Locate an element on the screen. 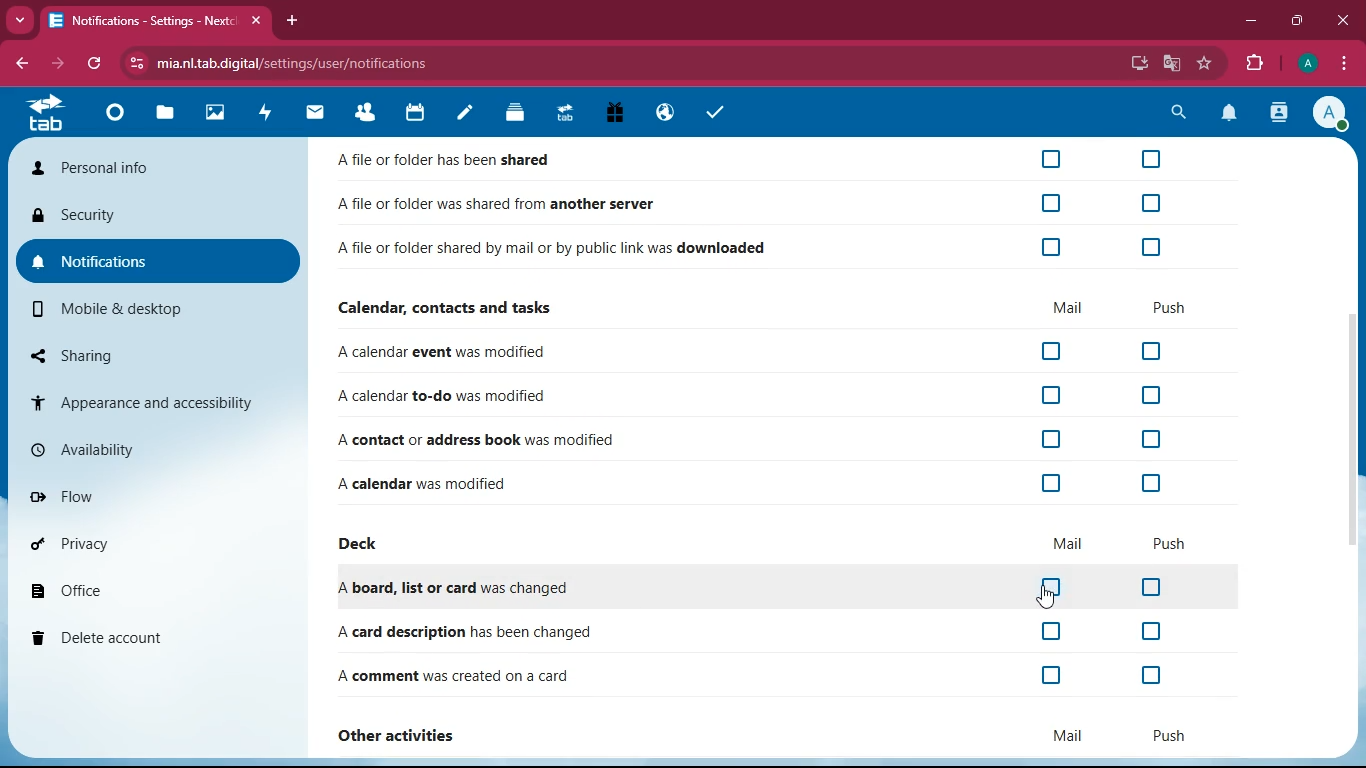  View site information is located at coordinates (135, 63).